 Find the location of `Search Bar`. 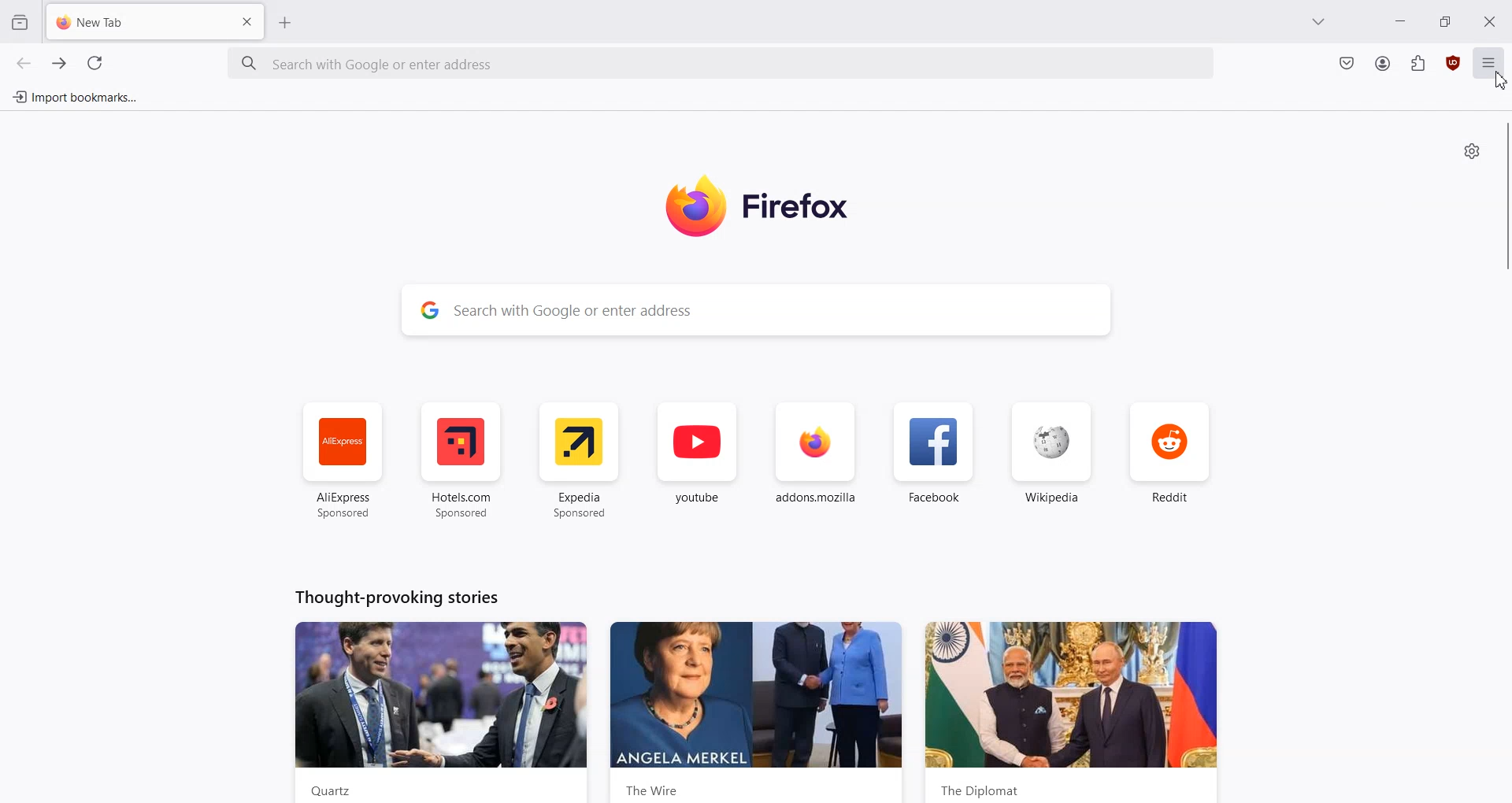

Search Bar is located at coordinates (722, 64).